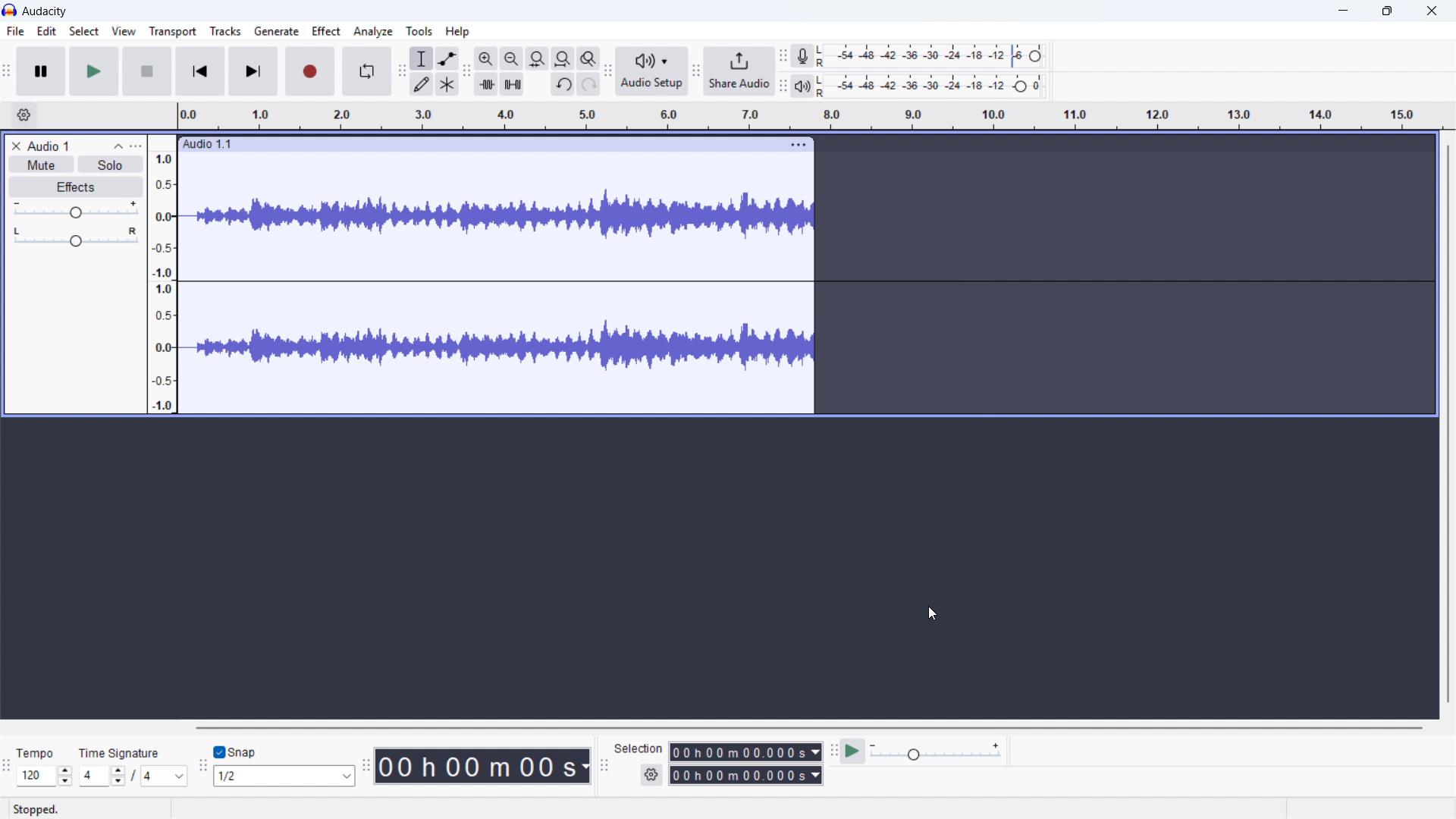 The image size is (1456, 819). I want to click on Playback speed, so click(935, 752).